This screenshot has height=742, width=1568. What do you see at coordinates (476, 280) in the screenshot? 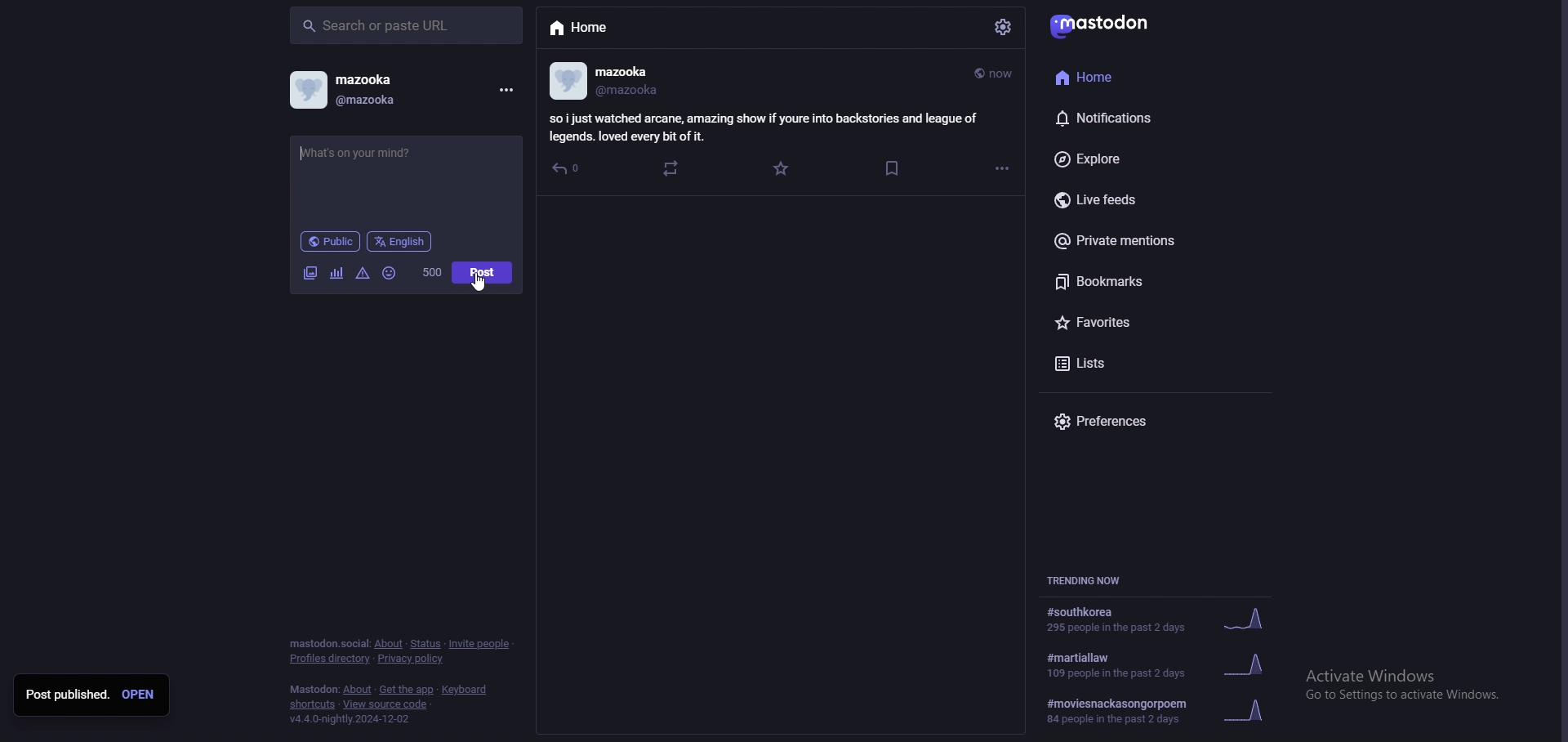
I see `cursor` at bounding box center [476, 280].